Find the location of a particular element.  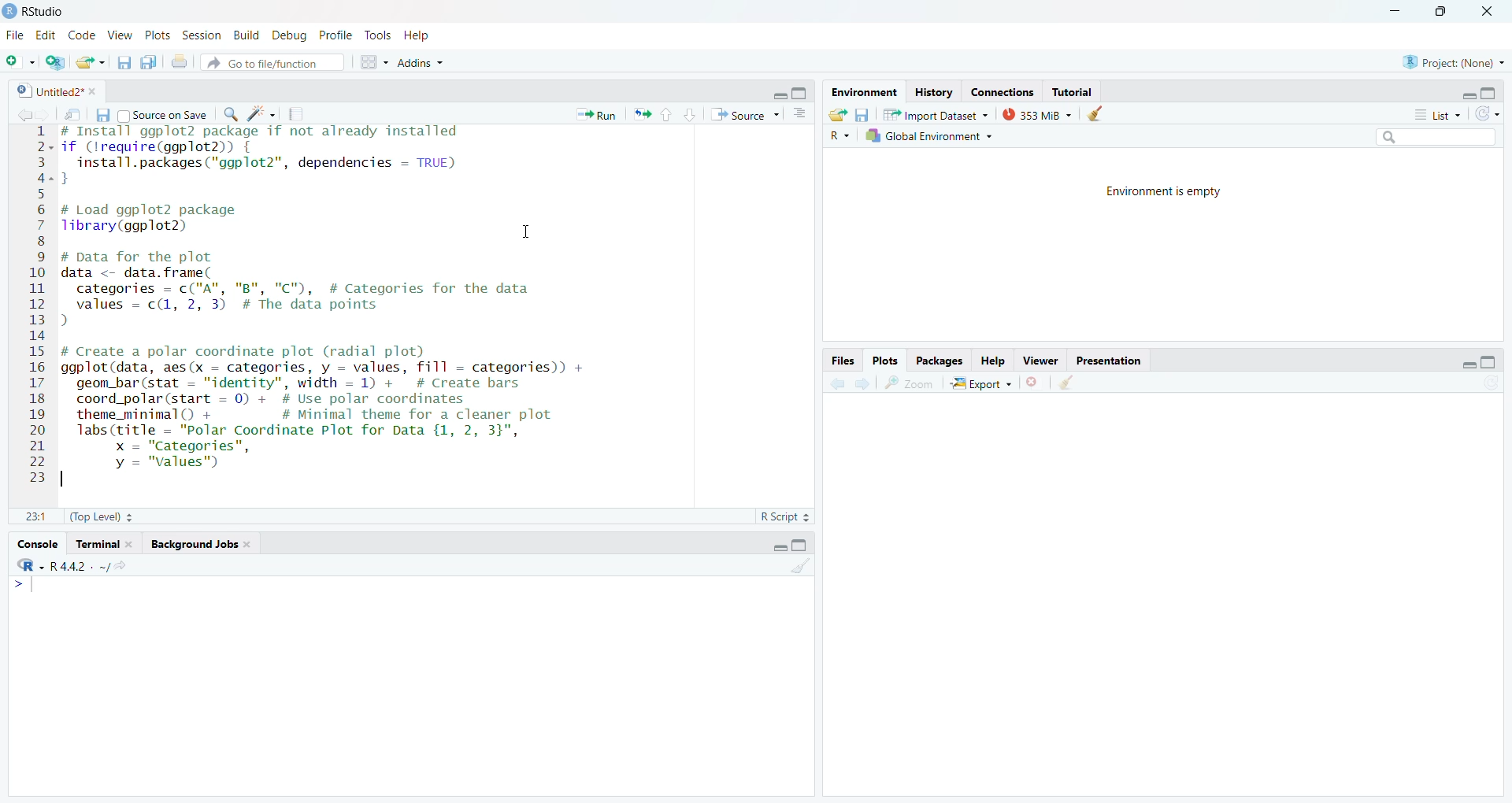

compile reports is located at coordinates (296, 113).